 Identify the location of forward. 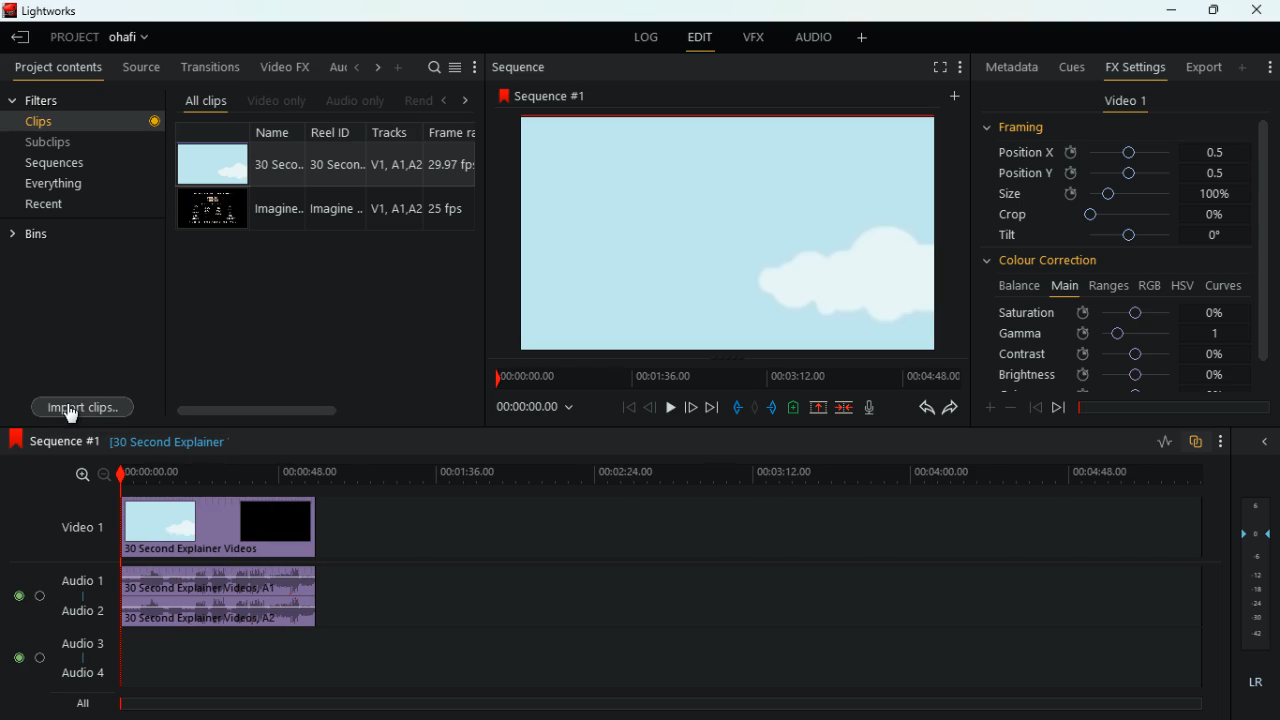
(691, 407).